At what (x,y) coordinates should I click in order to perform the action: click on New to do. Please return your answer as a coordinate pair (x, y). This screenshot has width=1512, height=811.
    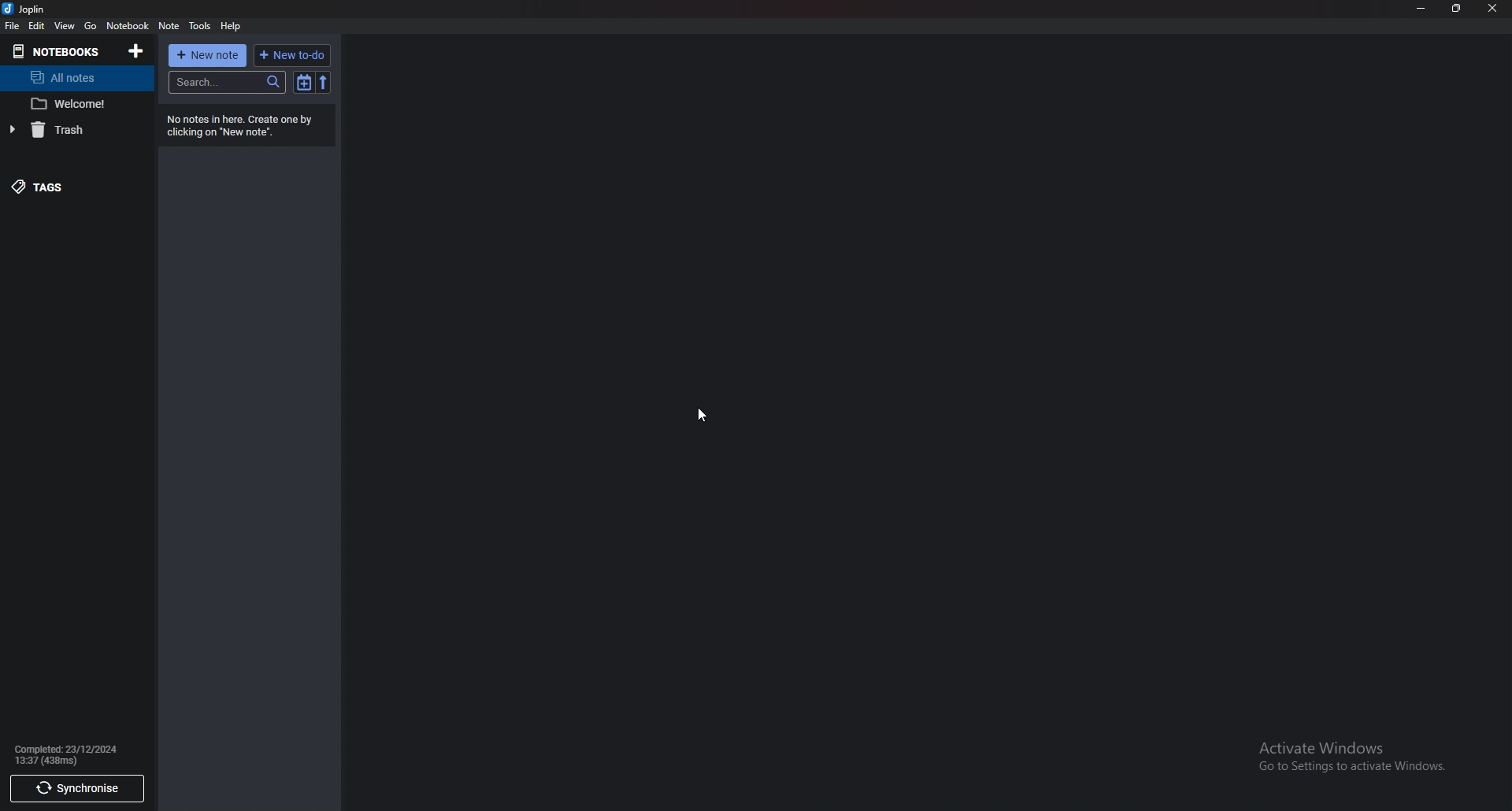
    Looking at the image, I should click on (292, 56).